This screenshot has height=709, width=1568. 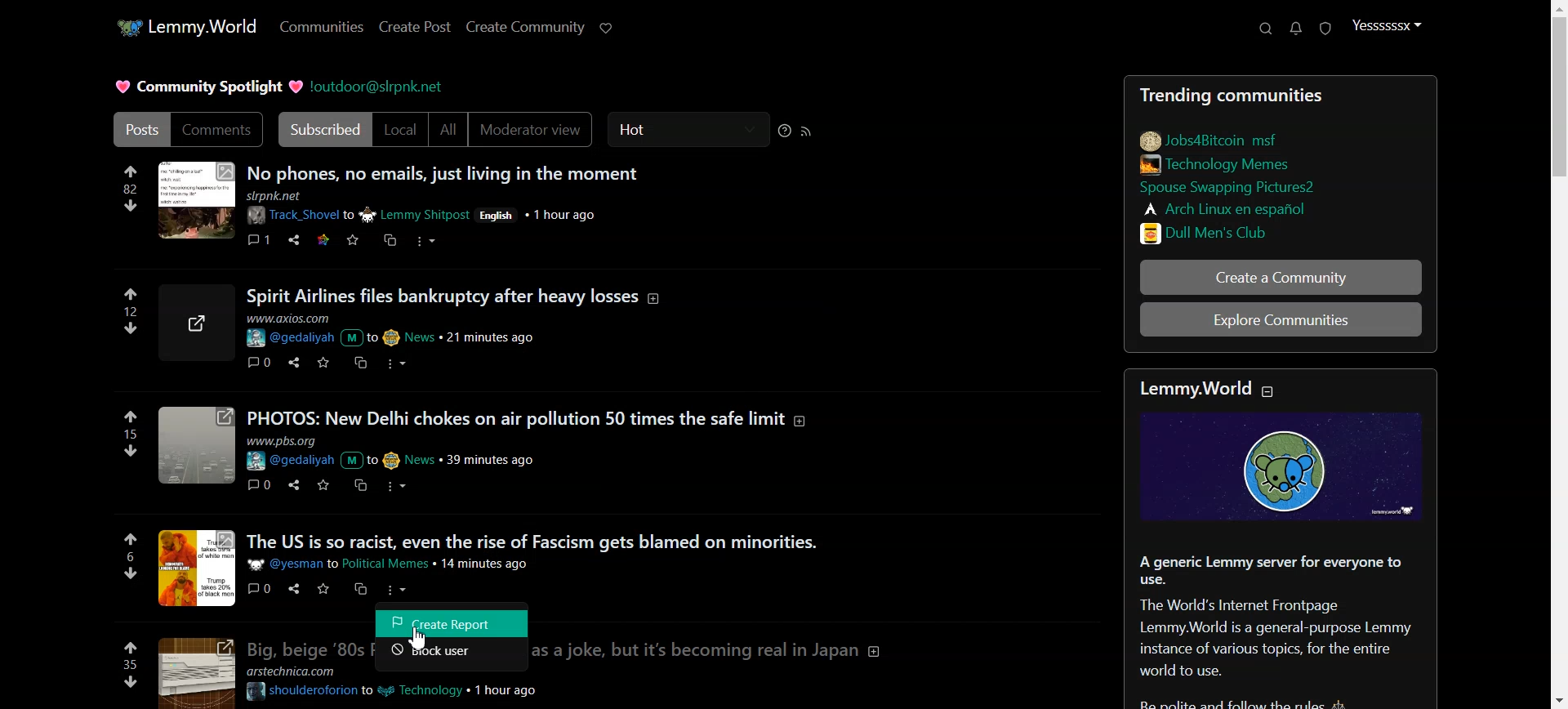 I want to click on post details, so click(x=397, y=330).